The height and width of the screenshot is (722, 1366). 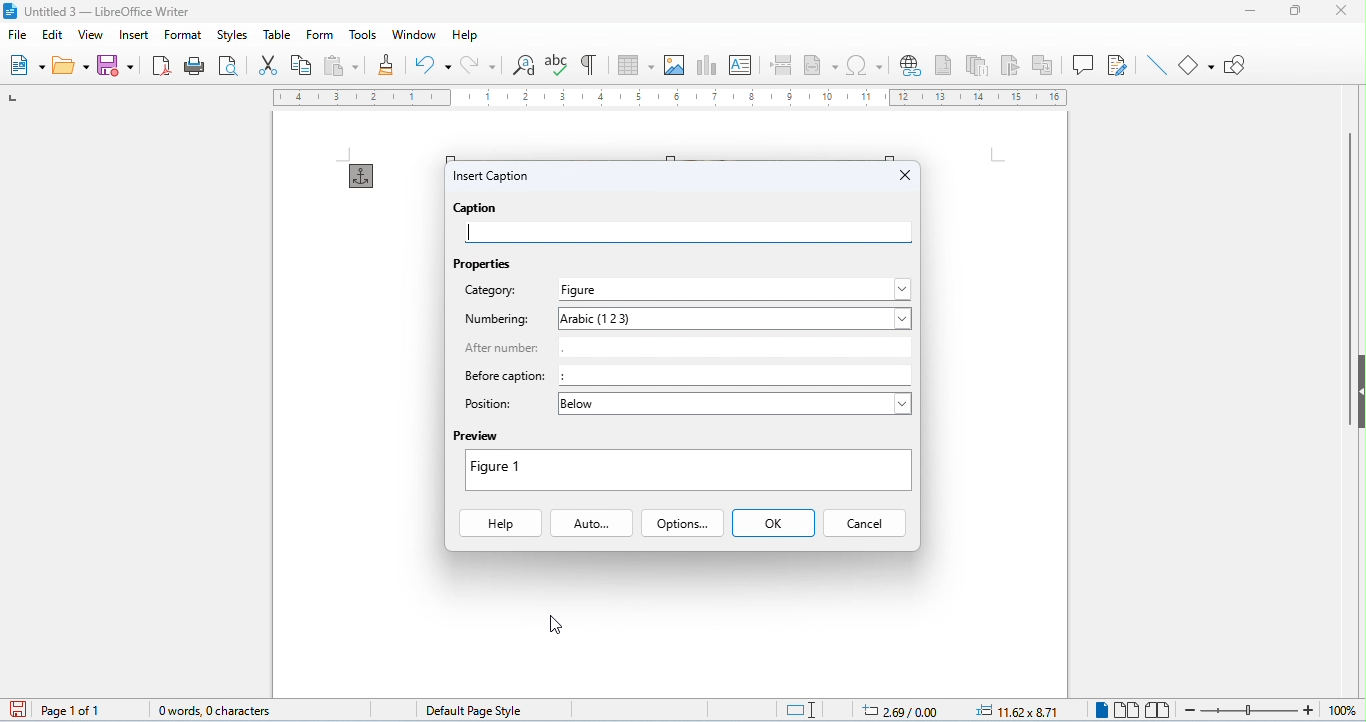 I want to click on vertical scroll bar, so click(x=1347, y=276).